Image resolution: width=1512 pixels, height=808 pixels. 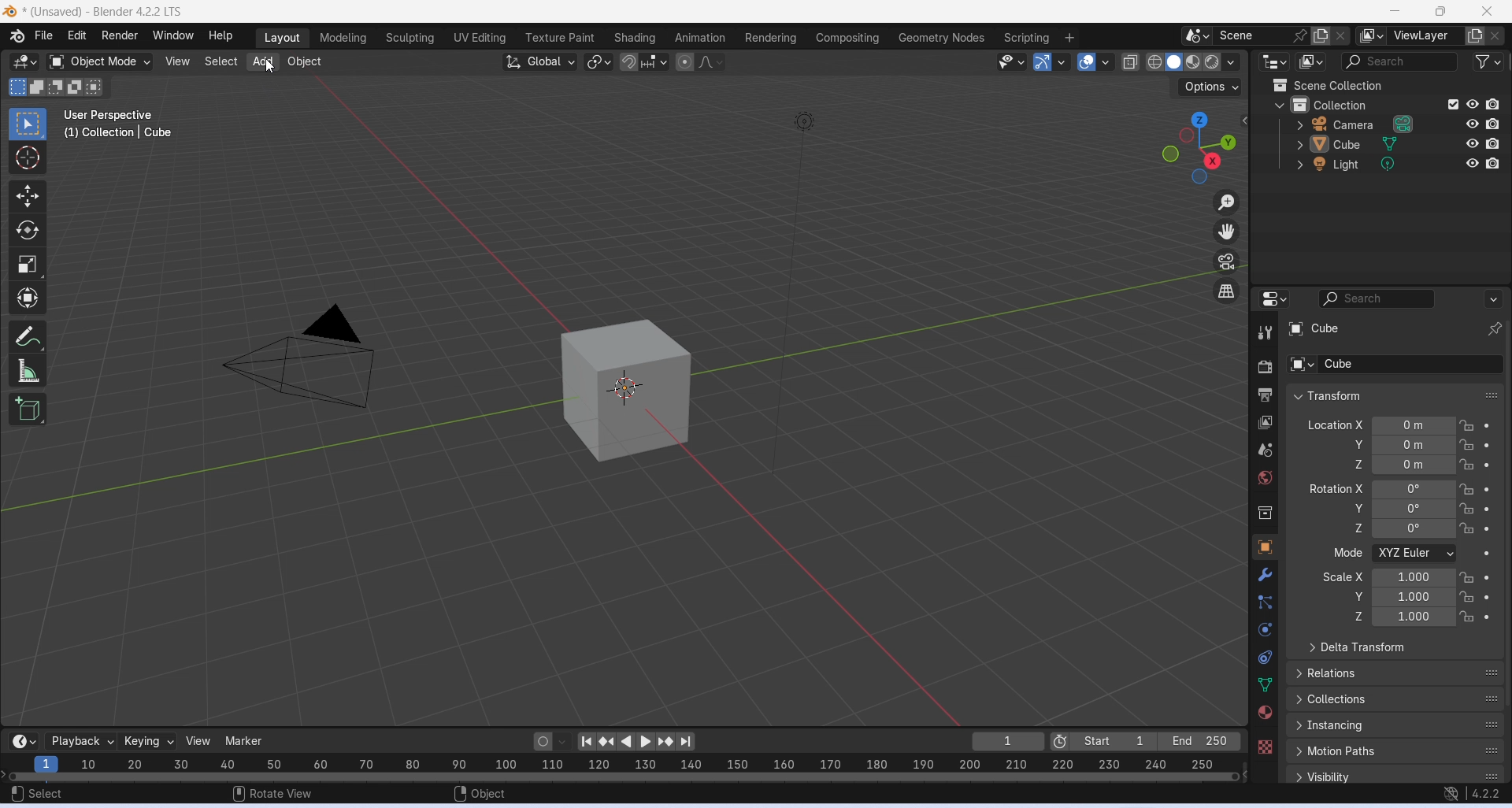 I want to click on cube layer, so click(x=1369, y=144).